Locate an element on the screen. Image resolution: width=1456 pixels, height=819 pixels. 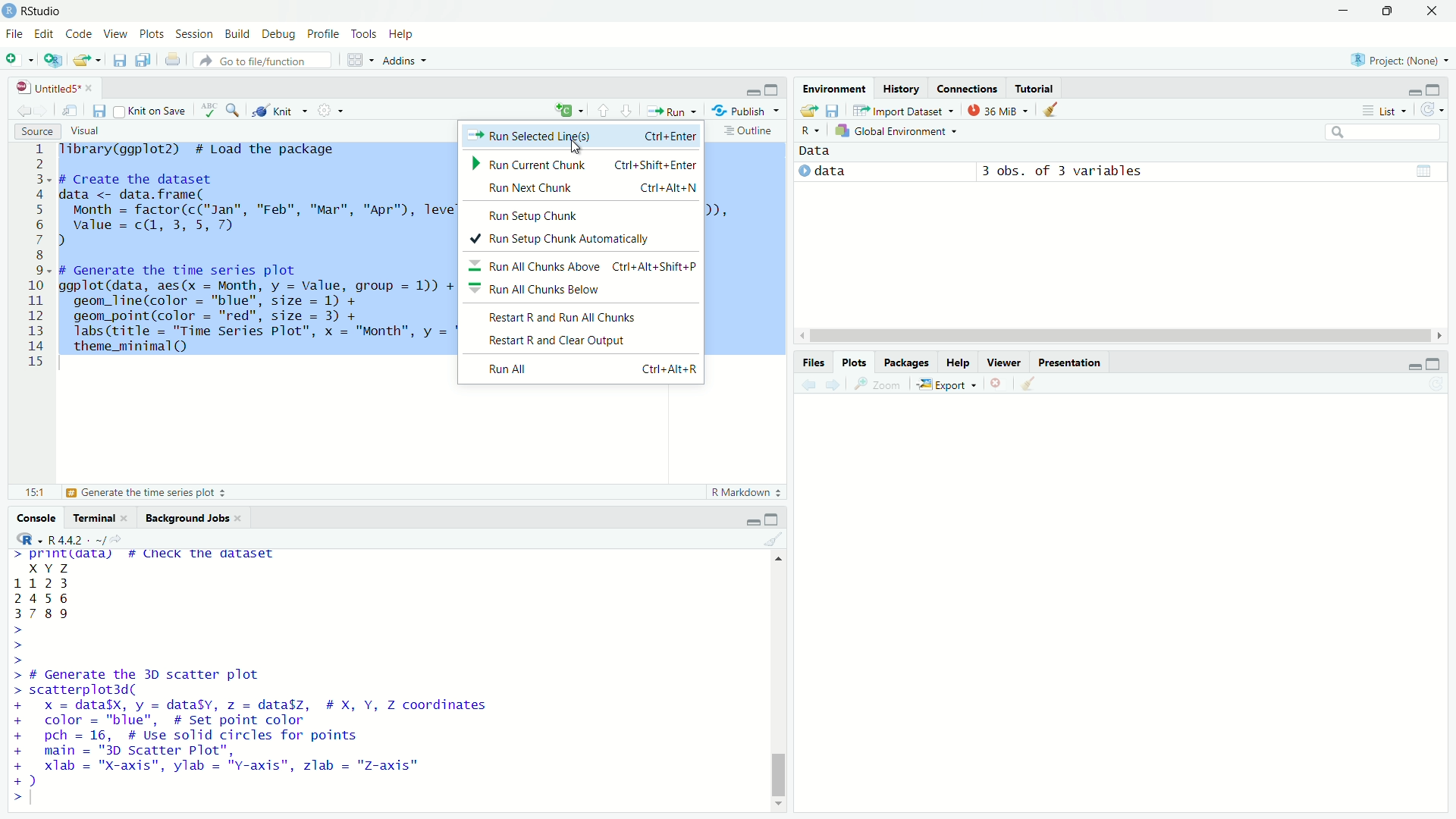
Run Current Chunk is located at coordinates (582, 165).